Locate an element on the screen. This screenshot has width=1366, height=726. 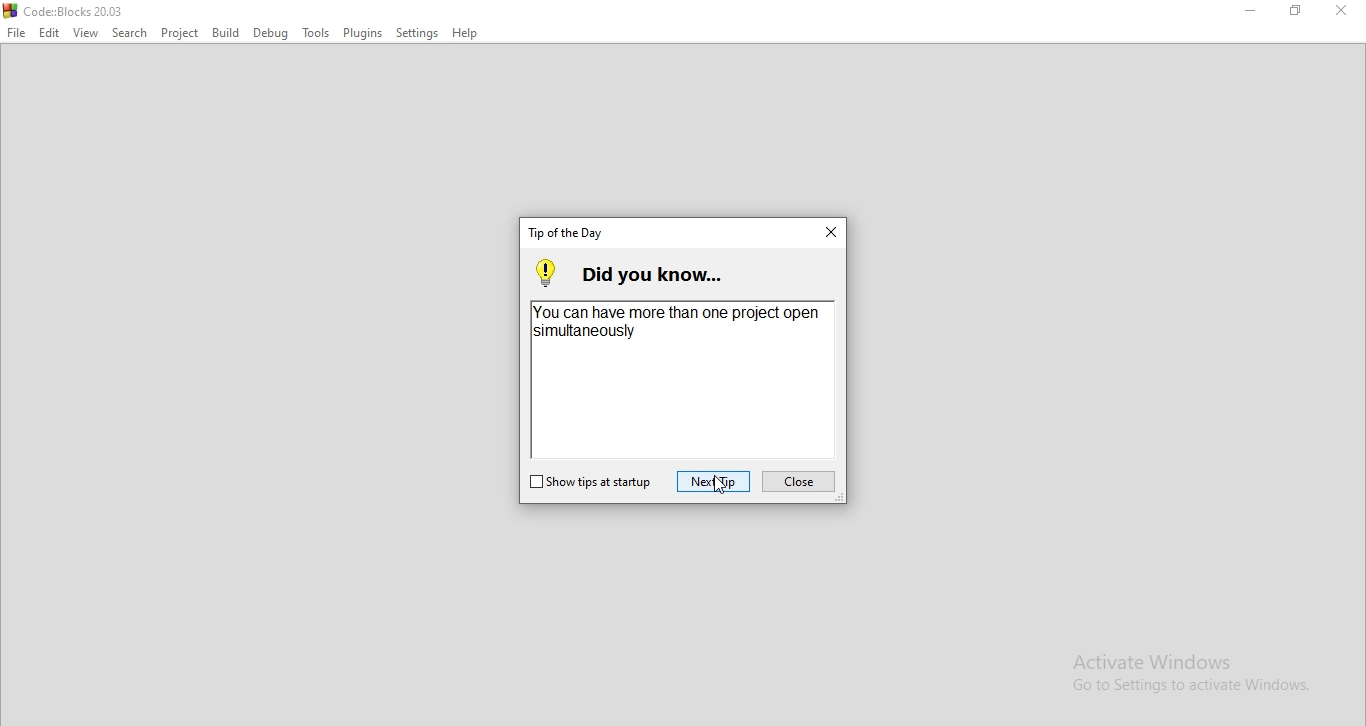
close is located at coordinates (830, 234).